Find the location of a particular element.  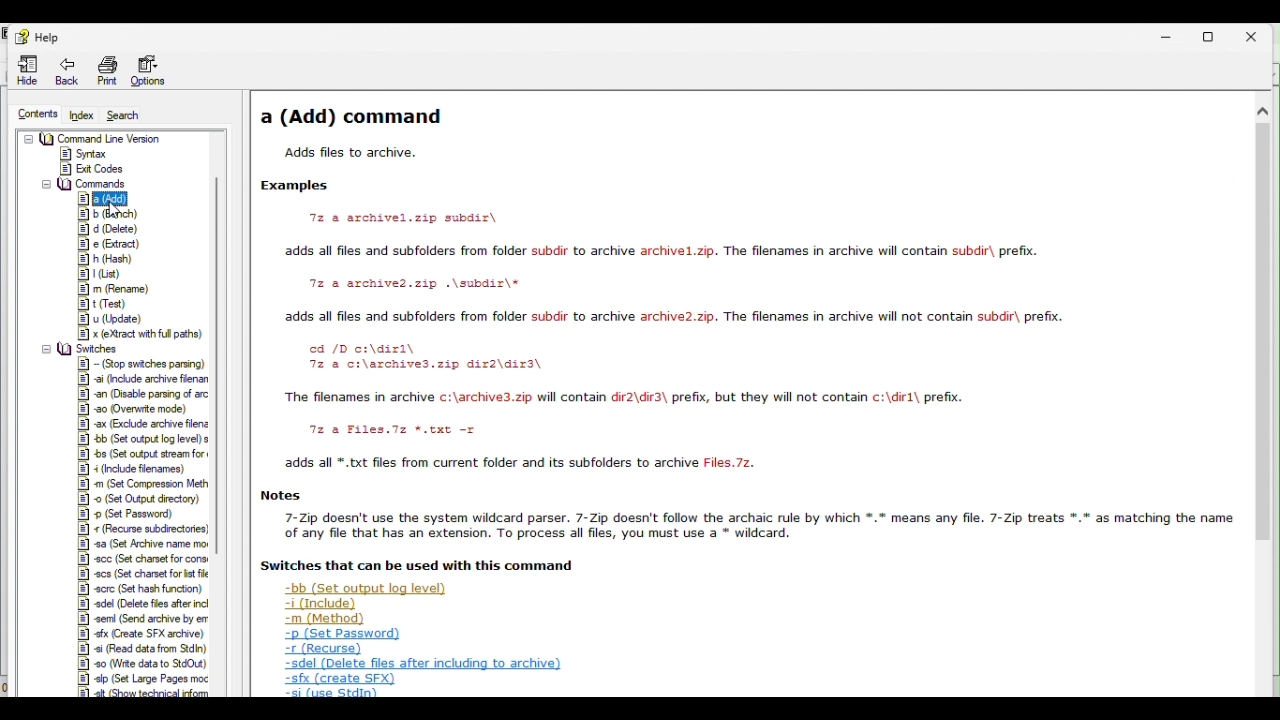

help is located at coordinates (43, 38).